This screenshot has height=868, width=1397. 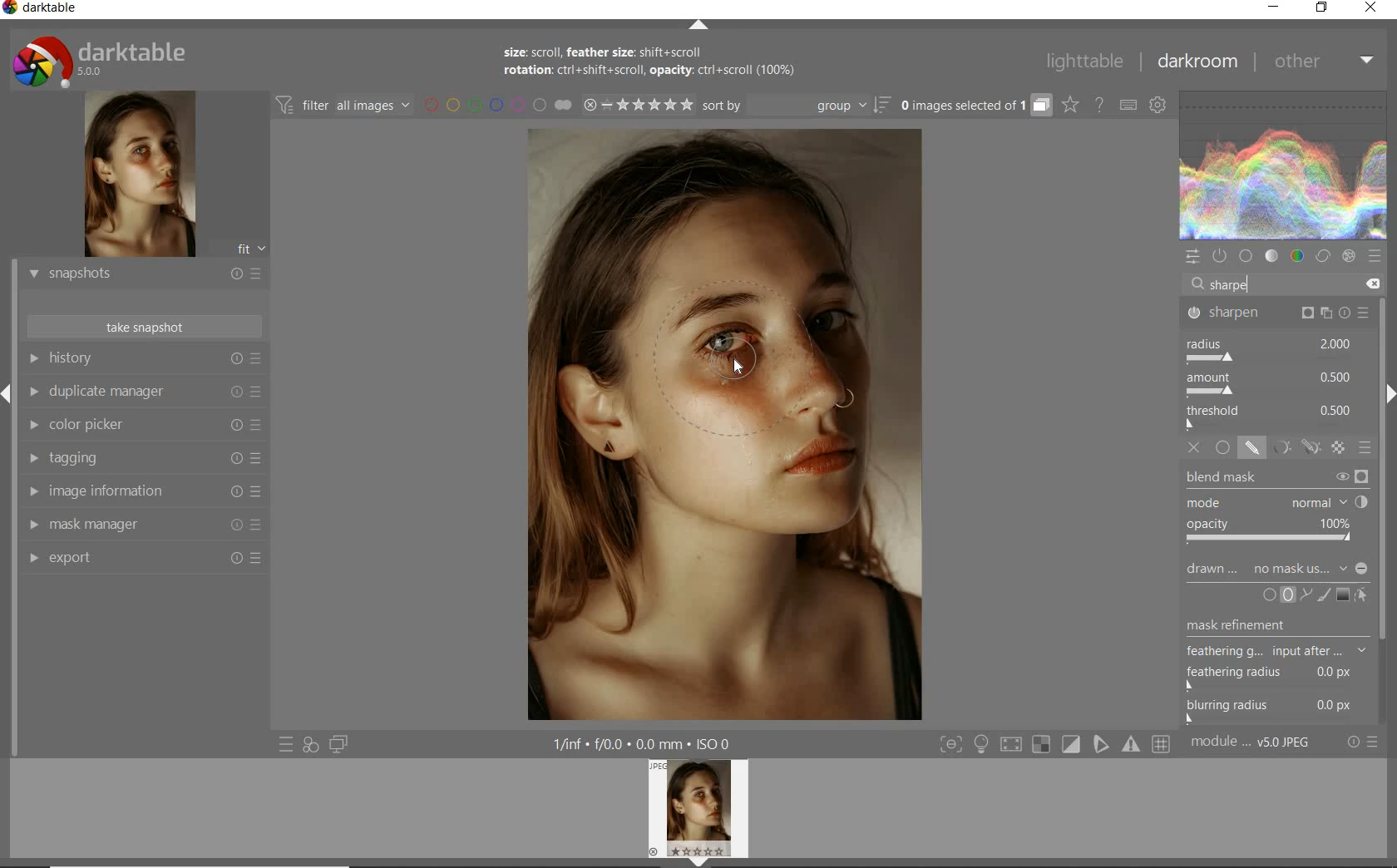 What do you see at coordinates (1281, 673) in the screenshot?
I see `FEATHERING RADIUS` at bounding box center [1281, 673].